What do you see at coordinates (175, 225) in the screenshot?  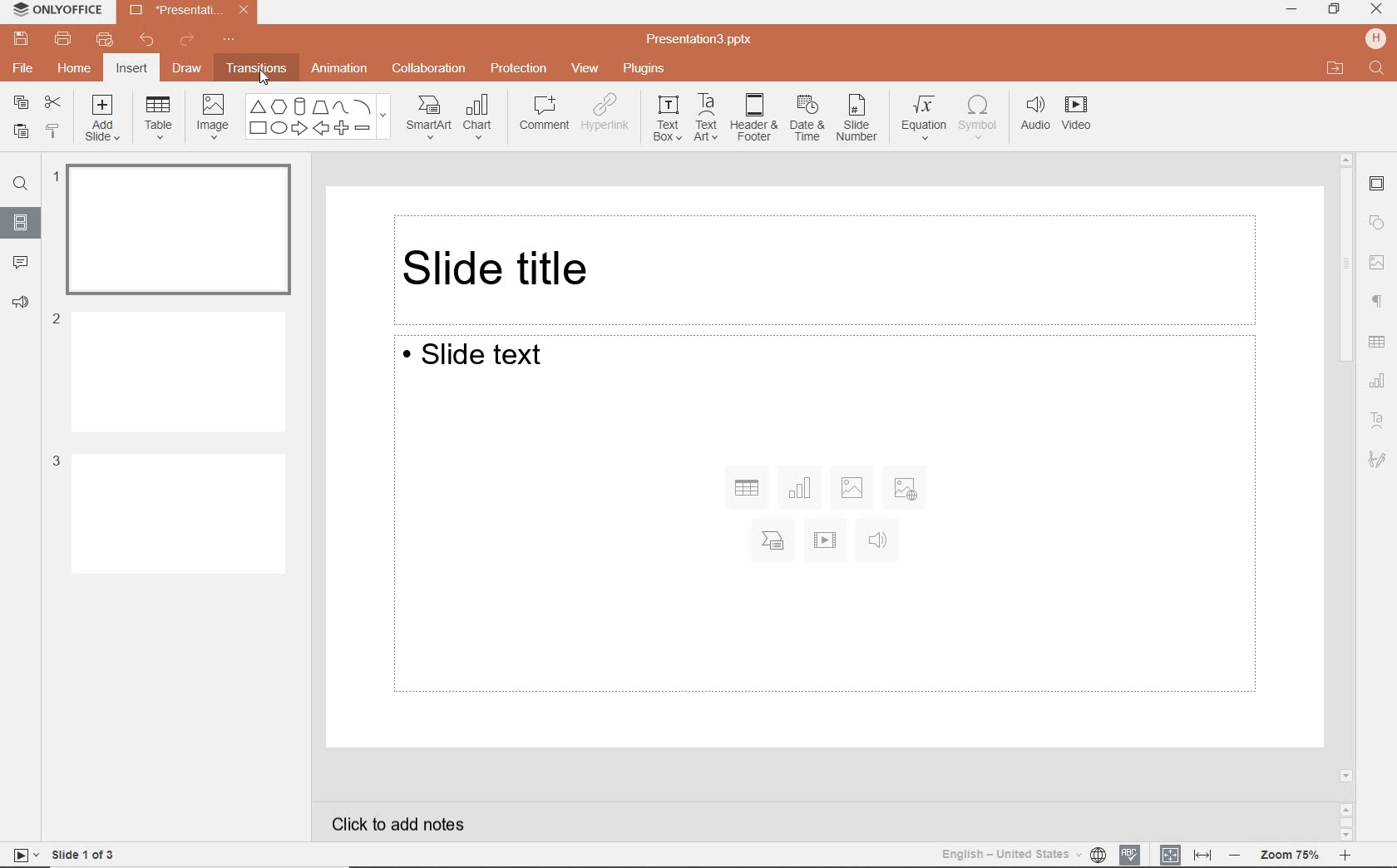 I see `slide 1` at bounding box center [175, 225].